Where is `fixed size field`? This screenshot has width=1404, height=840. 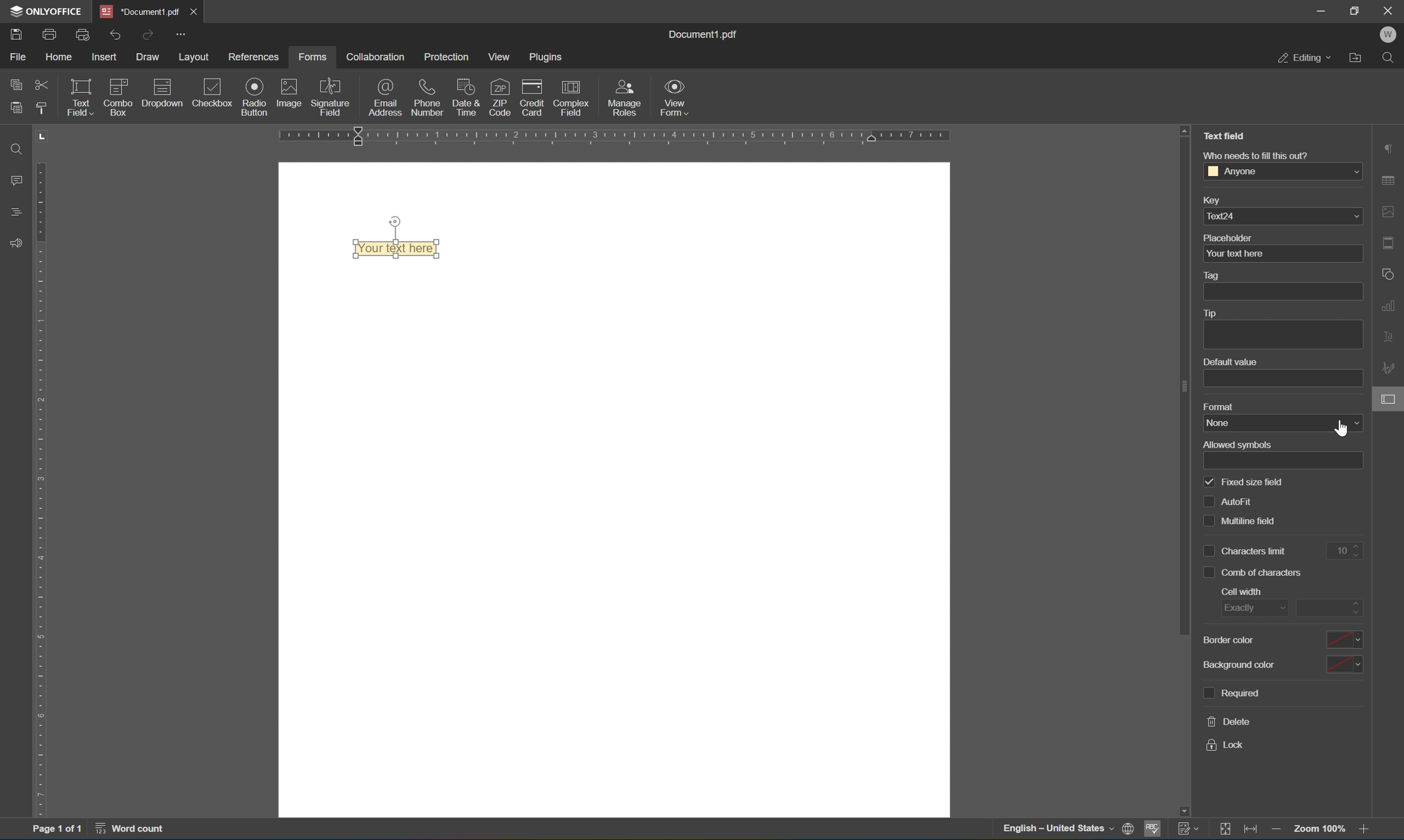
fixed size field is located at coordinates (1244, 481).